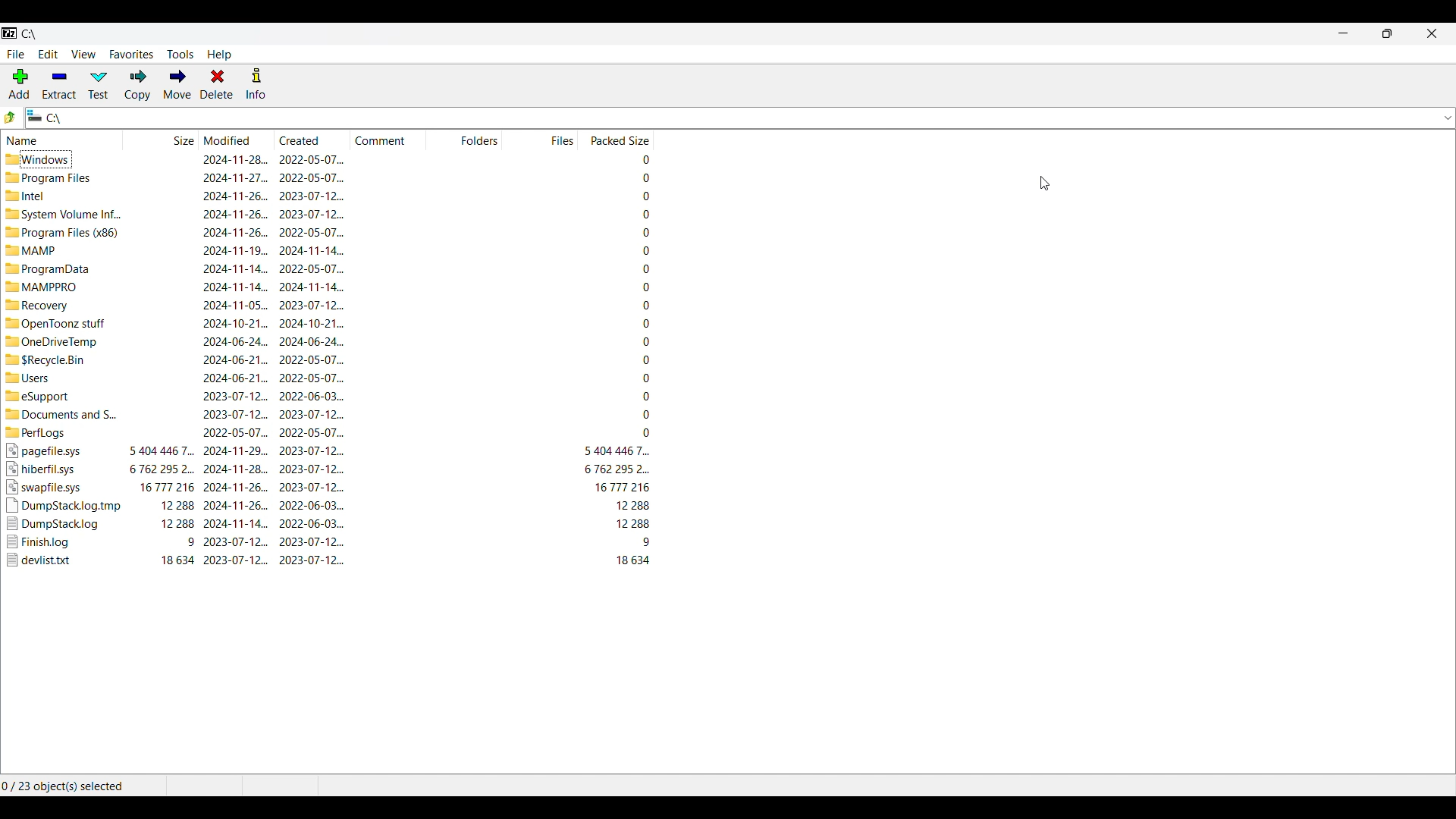  Describe the element at coordinates (256, 83) in the screenshot. I see `Info` at that location.